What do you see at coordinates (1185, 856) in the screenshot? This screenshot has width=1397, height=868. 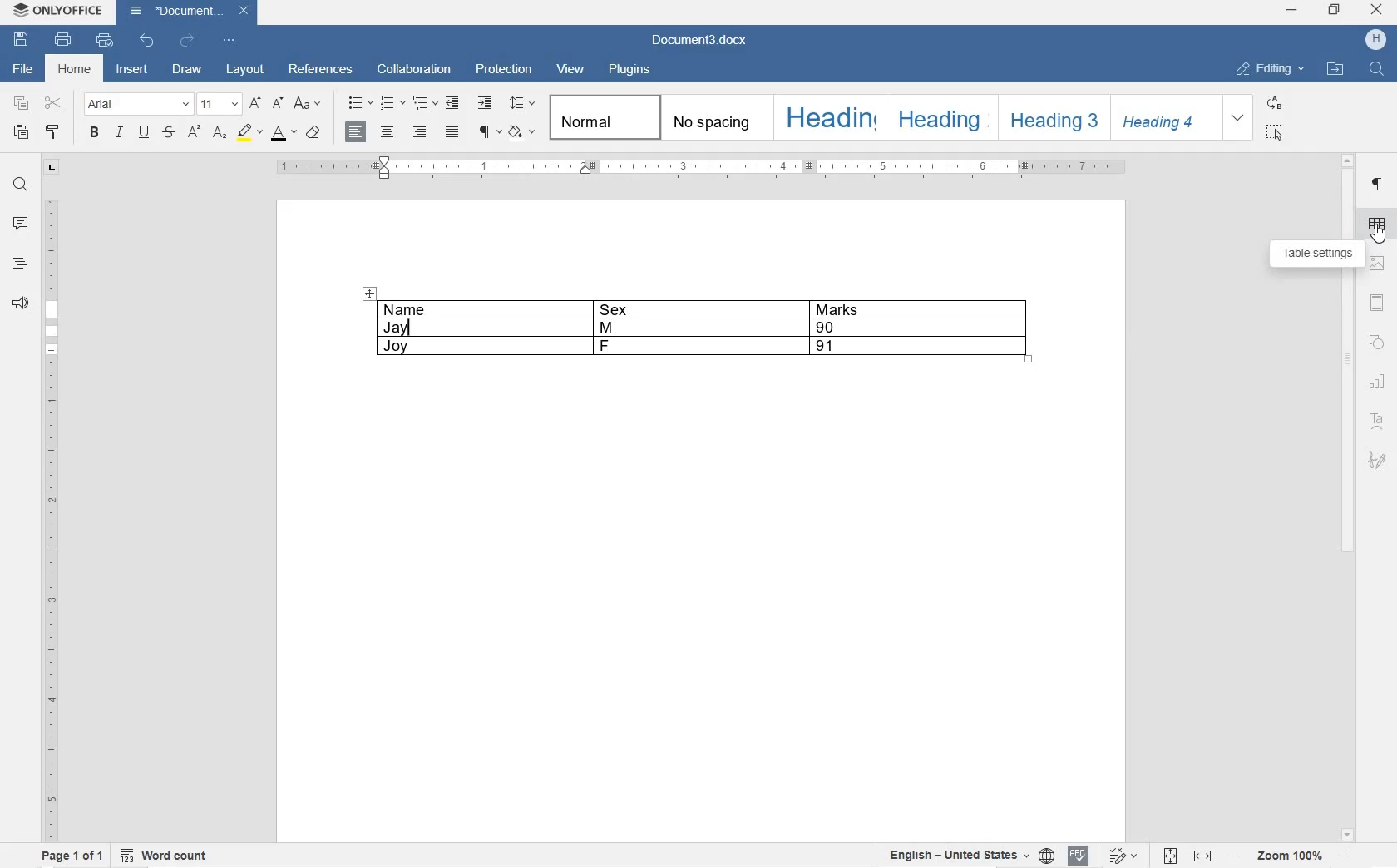 I see `FIT TO PAGE OR WIDTH` at bounding box center [1185, 856].